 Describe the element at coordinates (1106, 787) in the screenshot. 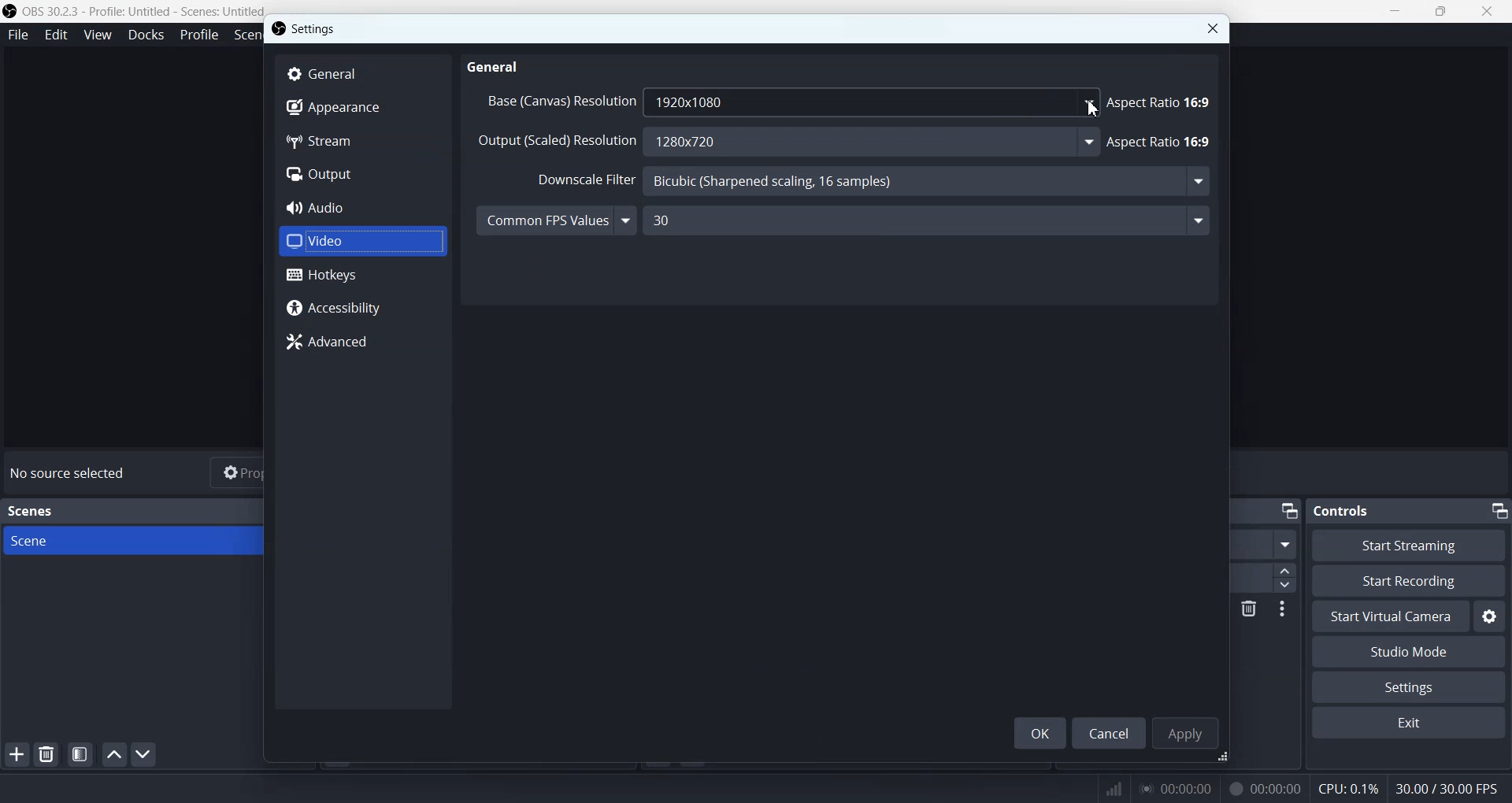

I see `Signals` at that location.